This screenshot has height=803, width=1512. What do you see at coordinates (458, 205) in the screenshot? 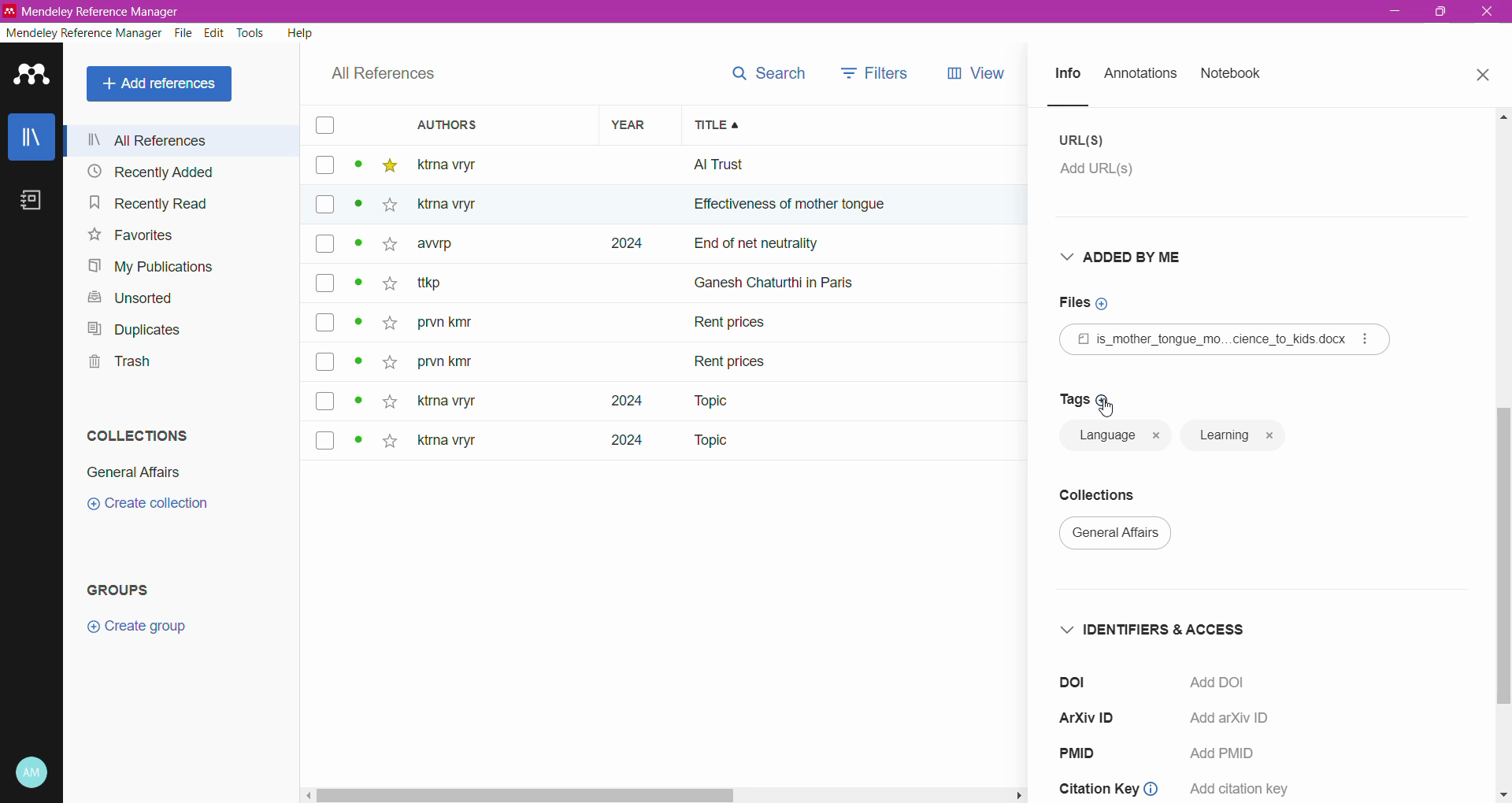
I see `` at bounding box center [458, 205].